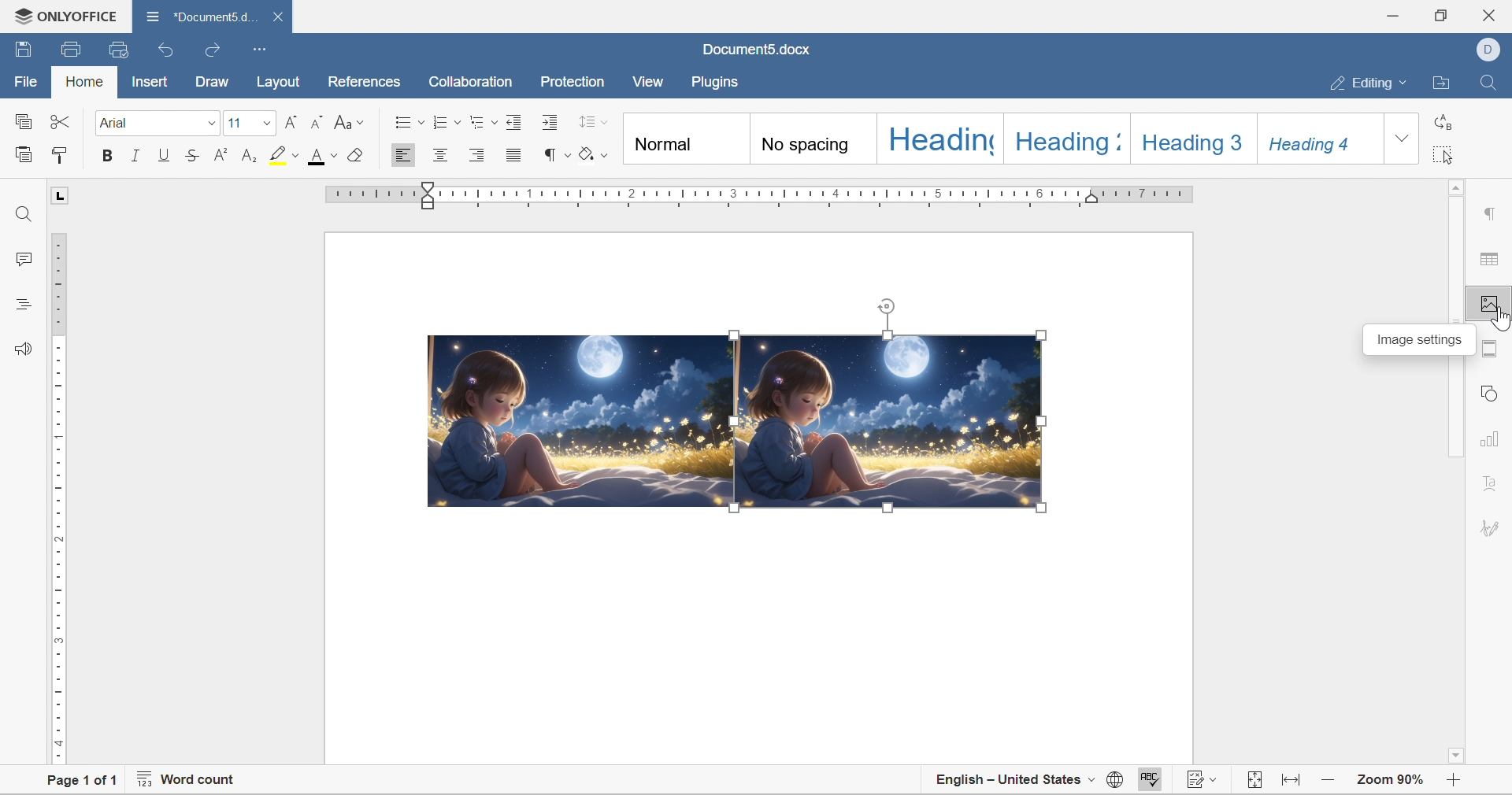 The width and height of the screenshot is (1512, 795). What do you see at coordinates (167, 50) in the screenshot?
I see `undo` at bounding box center [167, 50].